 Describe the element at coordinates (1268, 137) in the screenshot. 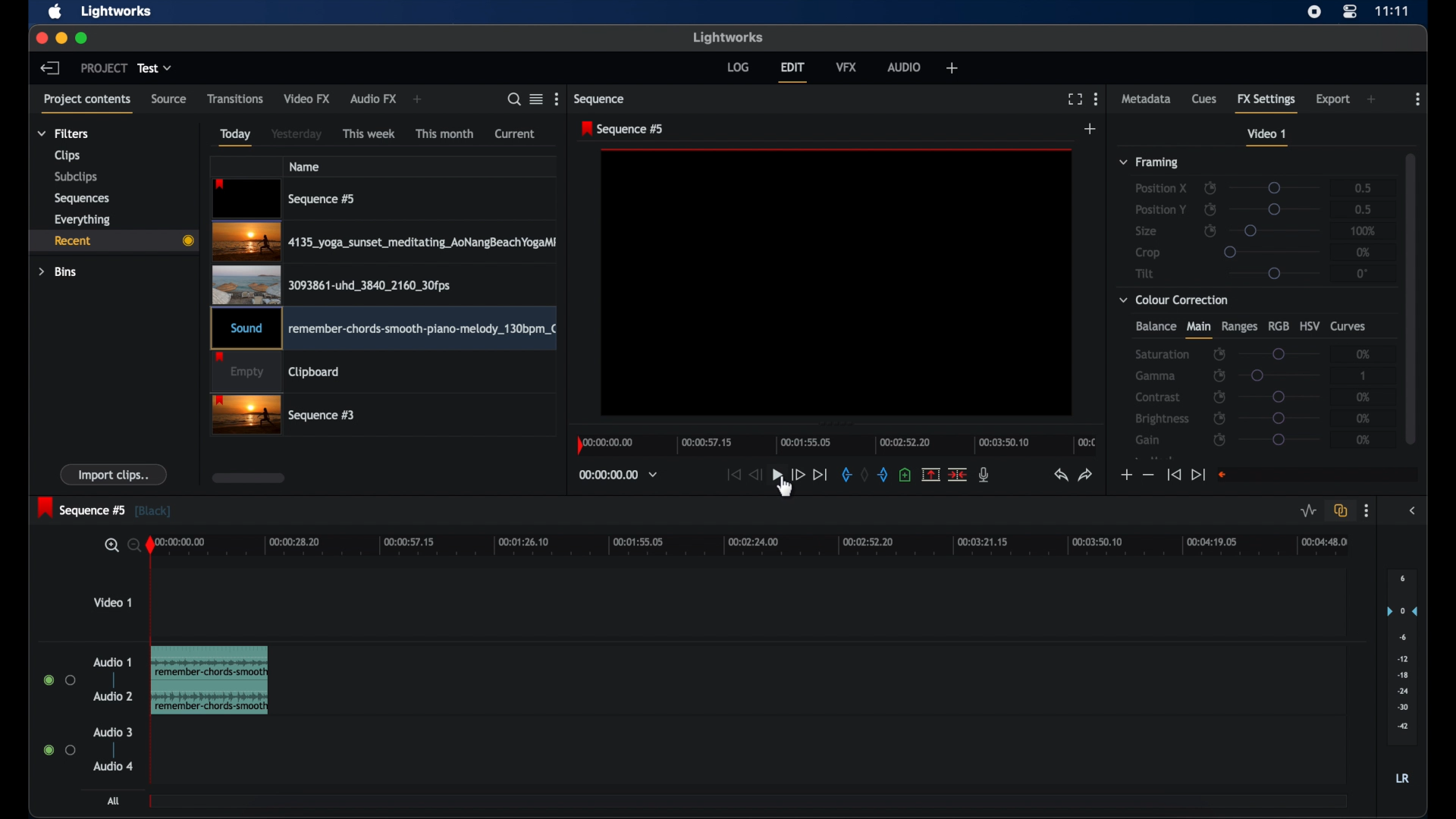

I see `video 1` at that location.